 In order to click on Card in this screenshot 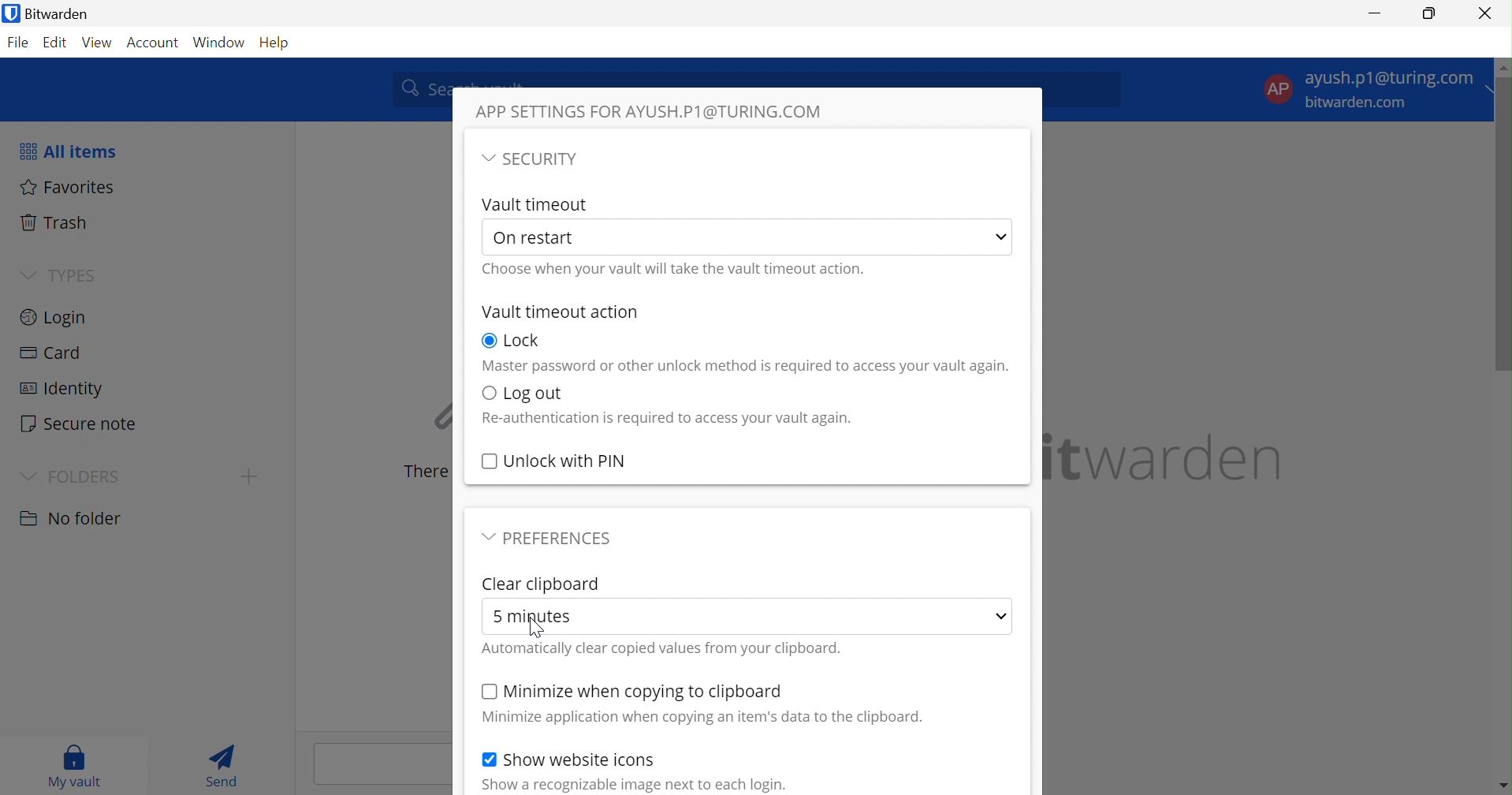, I will do `click(53, 354)`.